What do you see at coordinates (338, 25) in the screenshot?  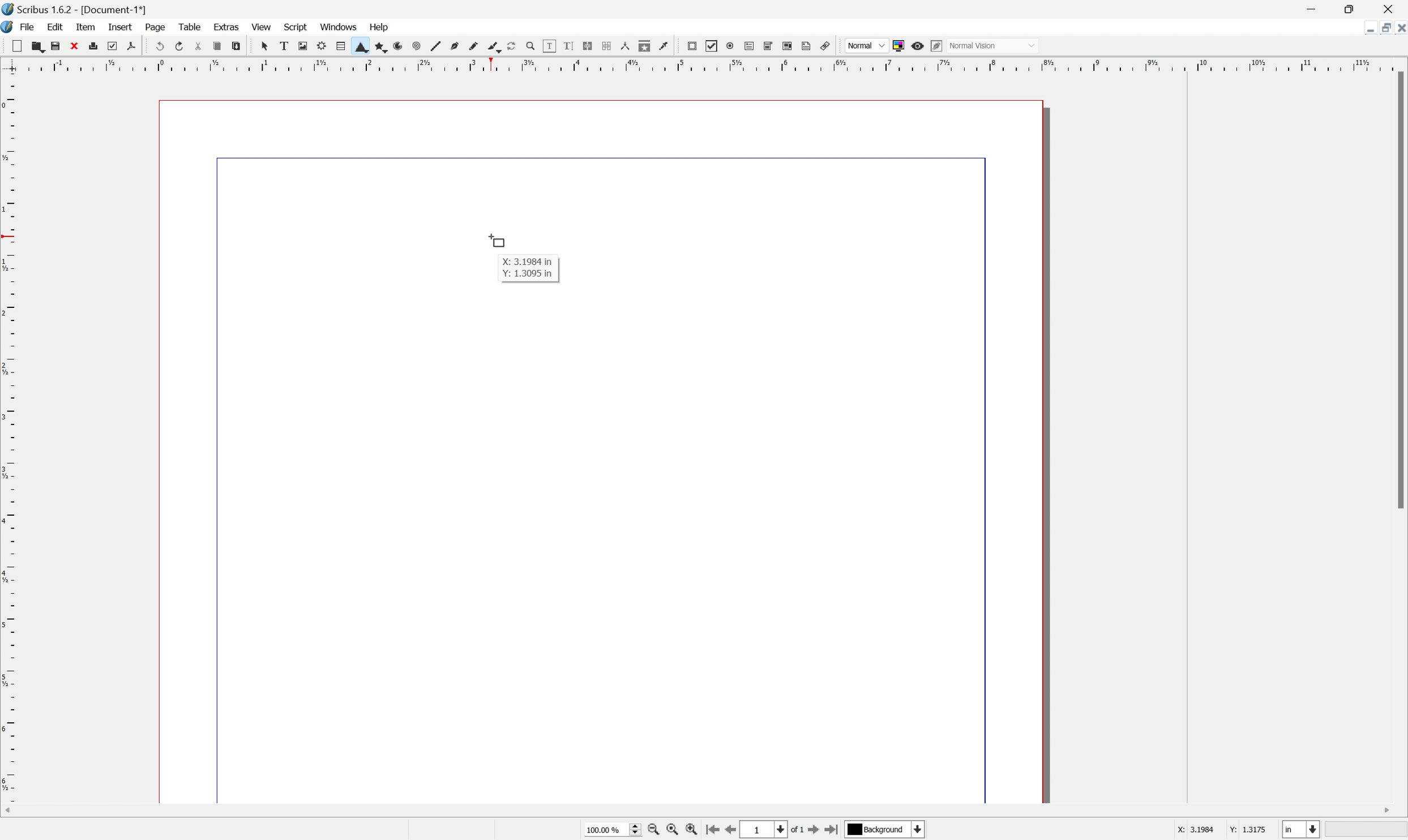 I see `Windows` at bounding box center [338, 25].